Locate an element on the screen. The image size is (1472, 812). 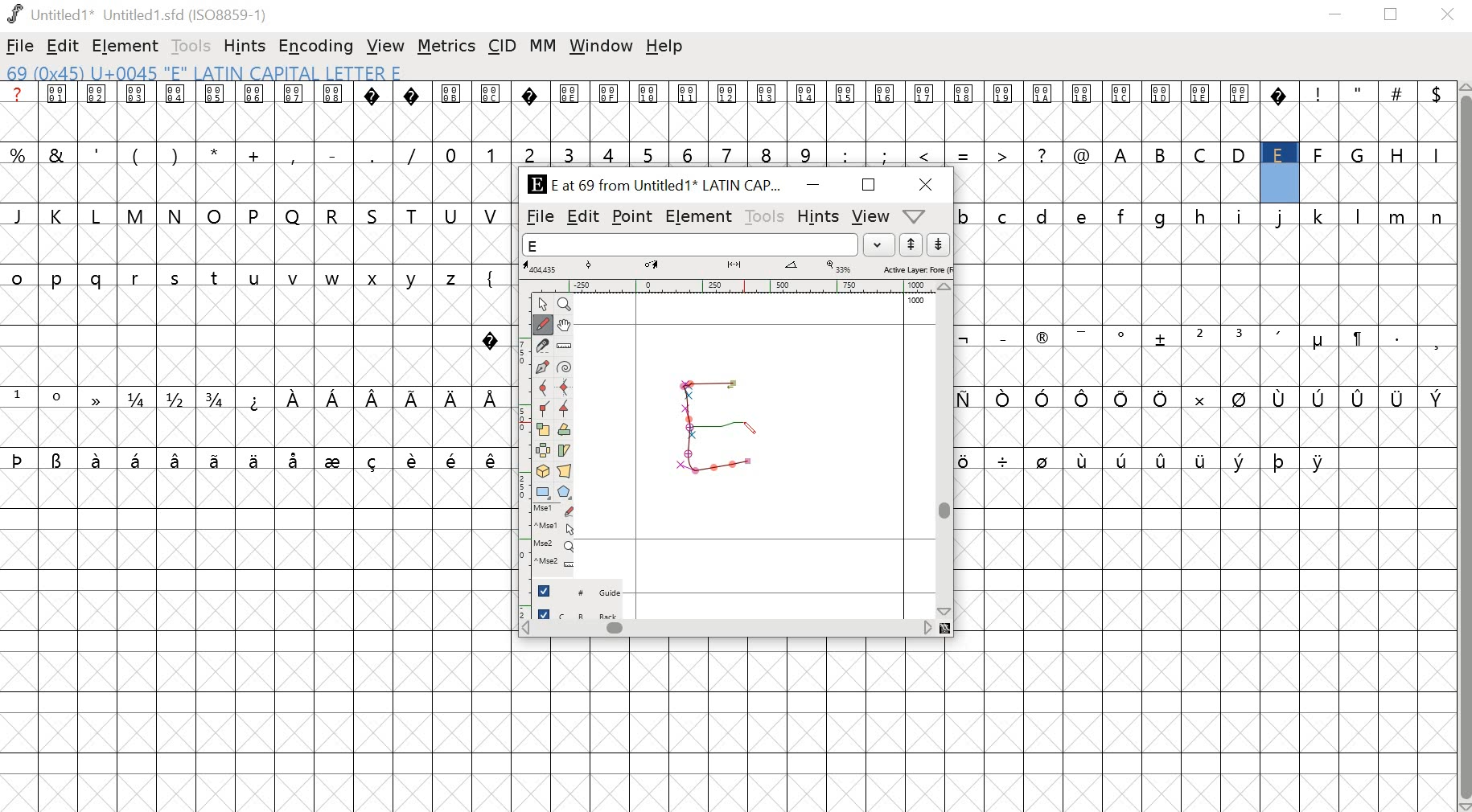
Corner is located at coordinates (543, 409).